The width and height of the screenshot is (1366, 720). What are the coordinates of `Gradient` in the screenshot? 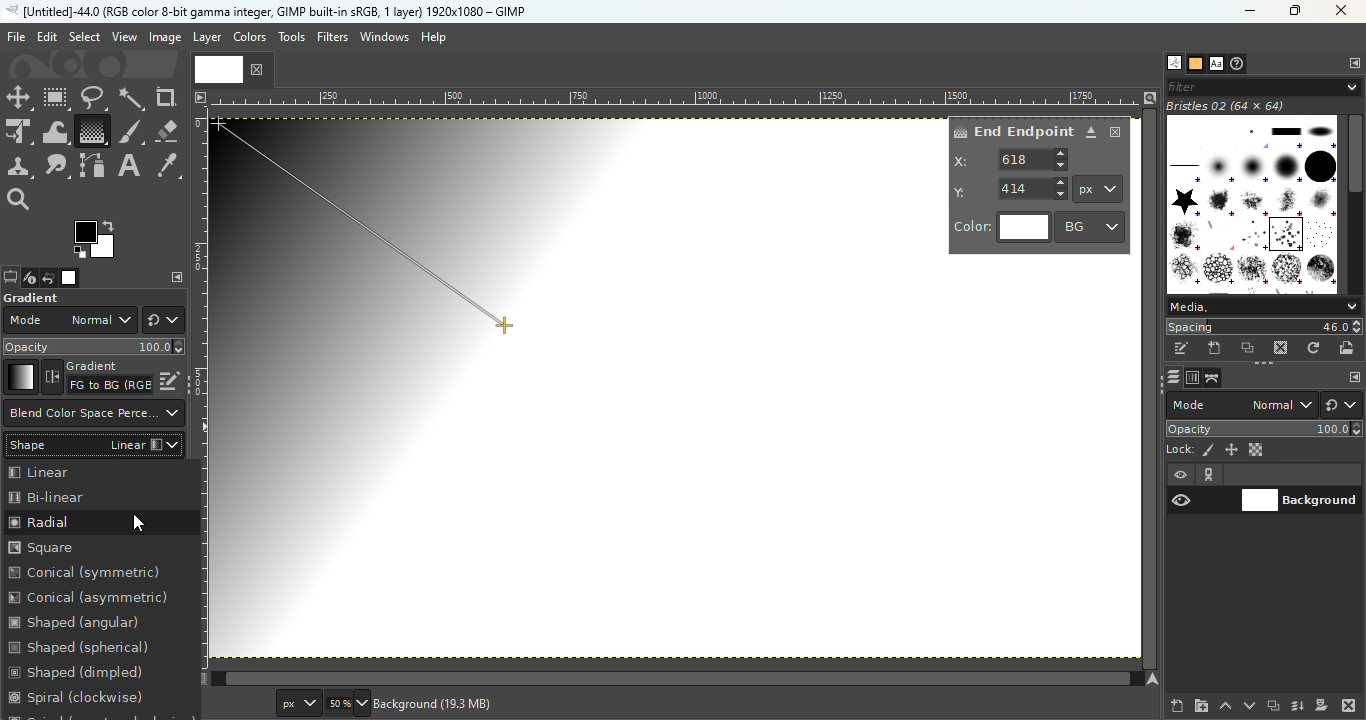 It's located at (20, 377).